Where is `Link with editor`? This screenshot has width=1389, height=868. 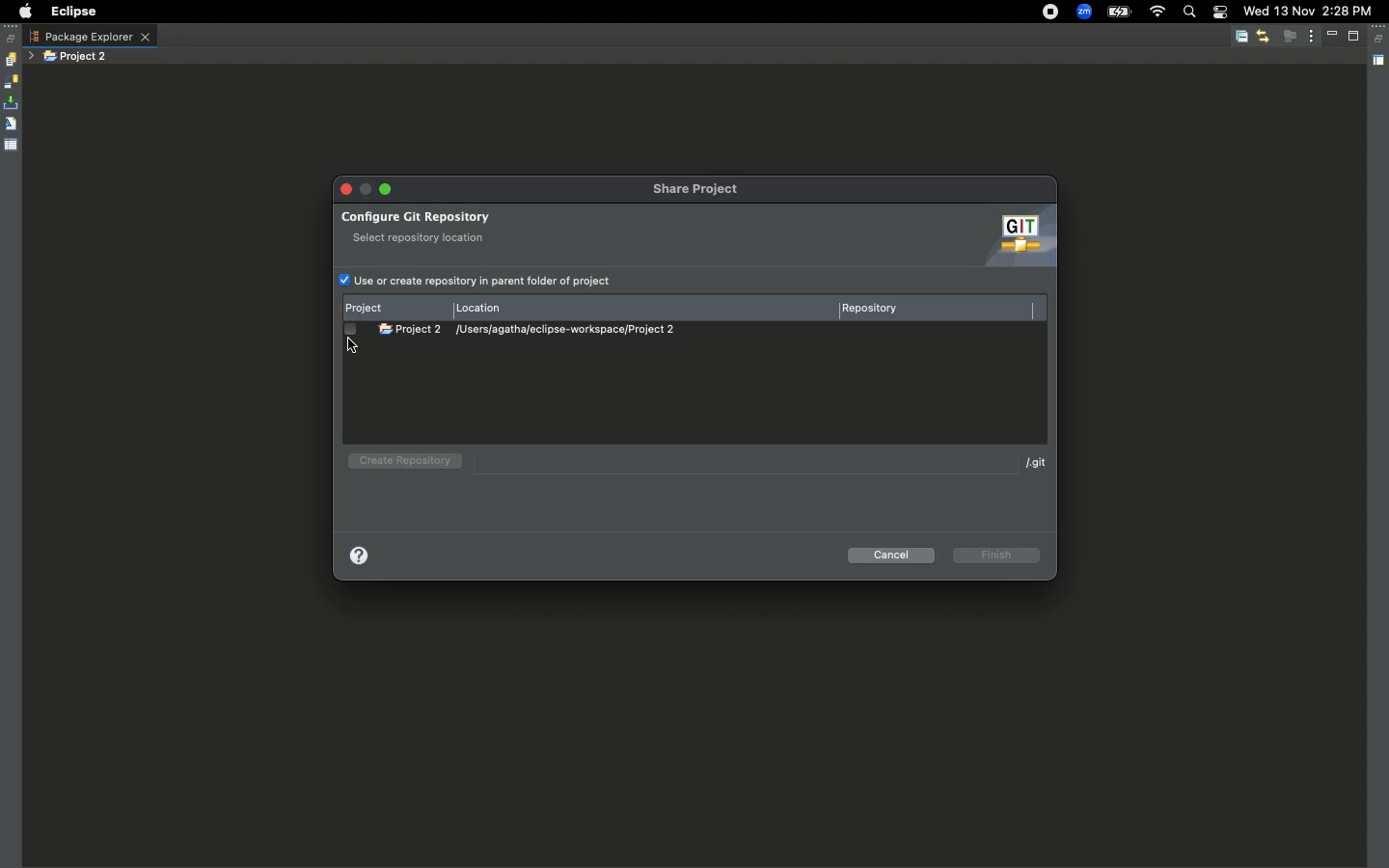 Link with editor is located at coordinates (1263, 36).